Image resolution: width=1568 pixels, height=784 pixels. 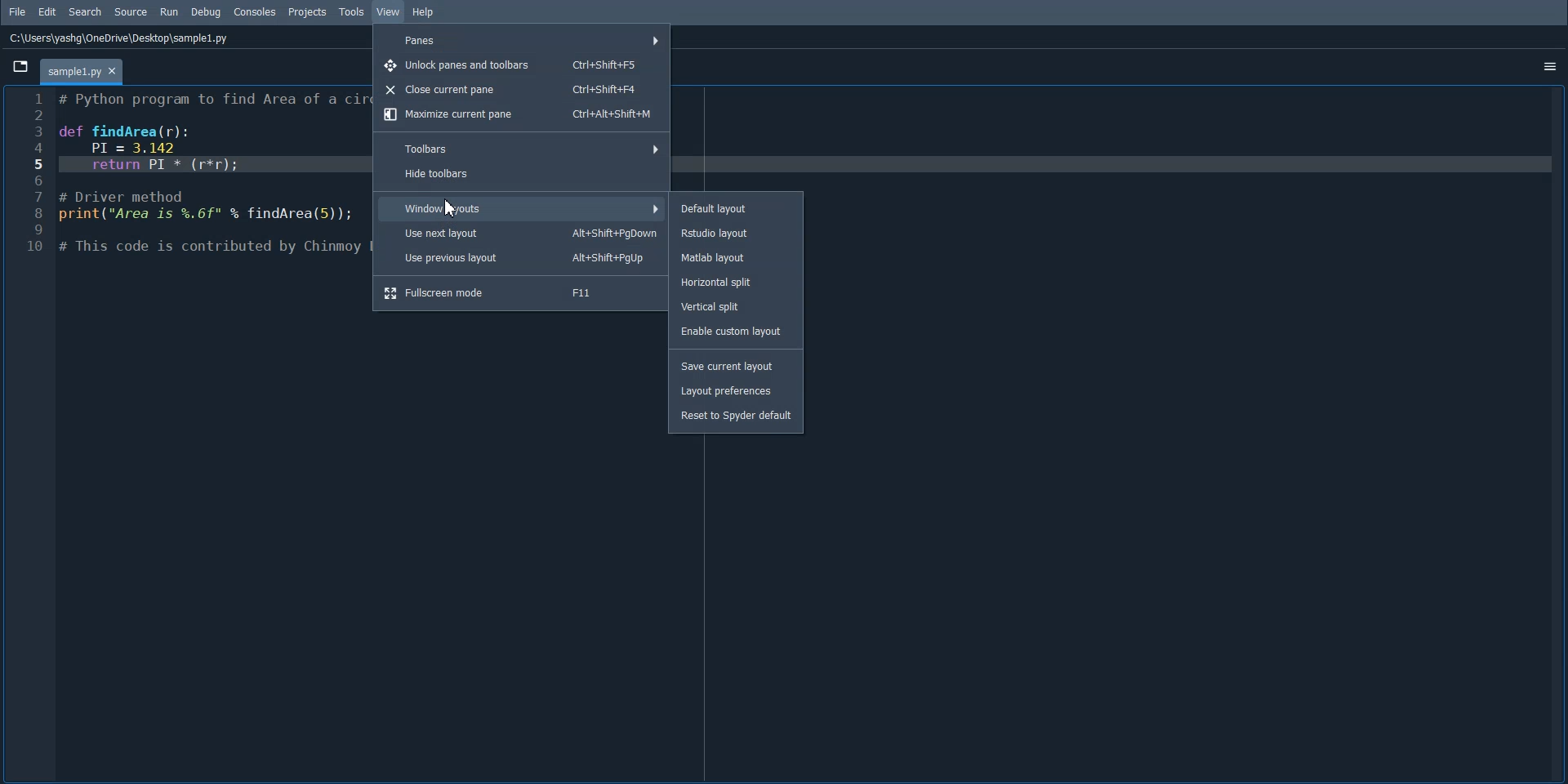 What do you see at coordinates (389, 11) in the screenshot?
I see `View` at bounding box center [389, 11].